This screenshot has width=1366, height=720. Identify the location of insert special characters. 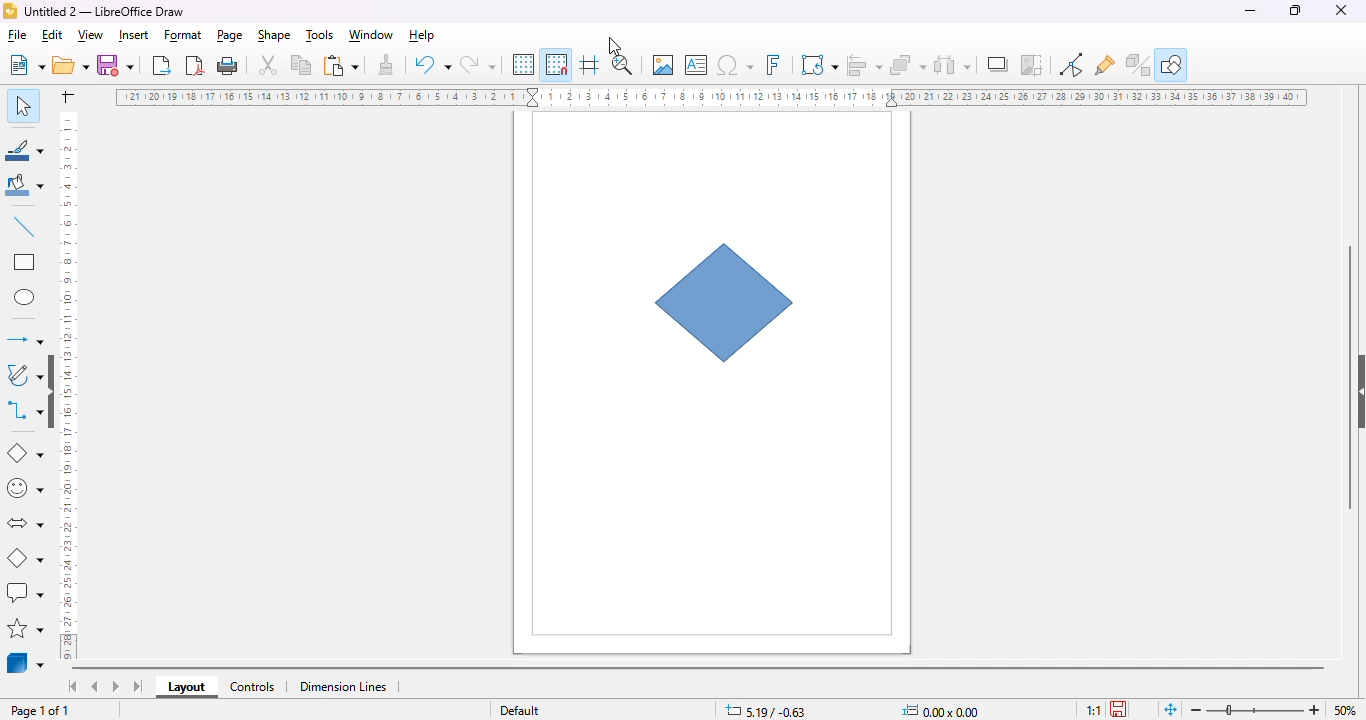
(735, 65).